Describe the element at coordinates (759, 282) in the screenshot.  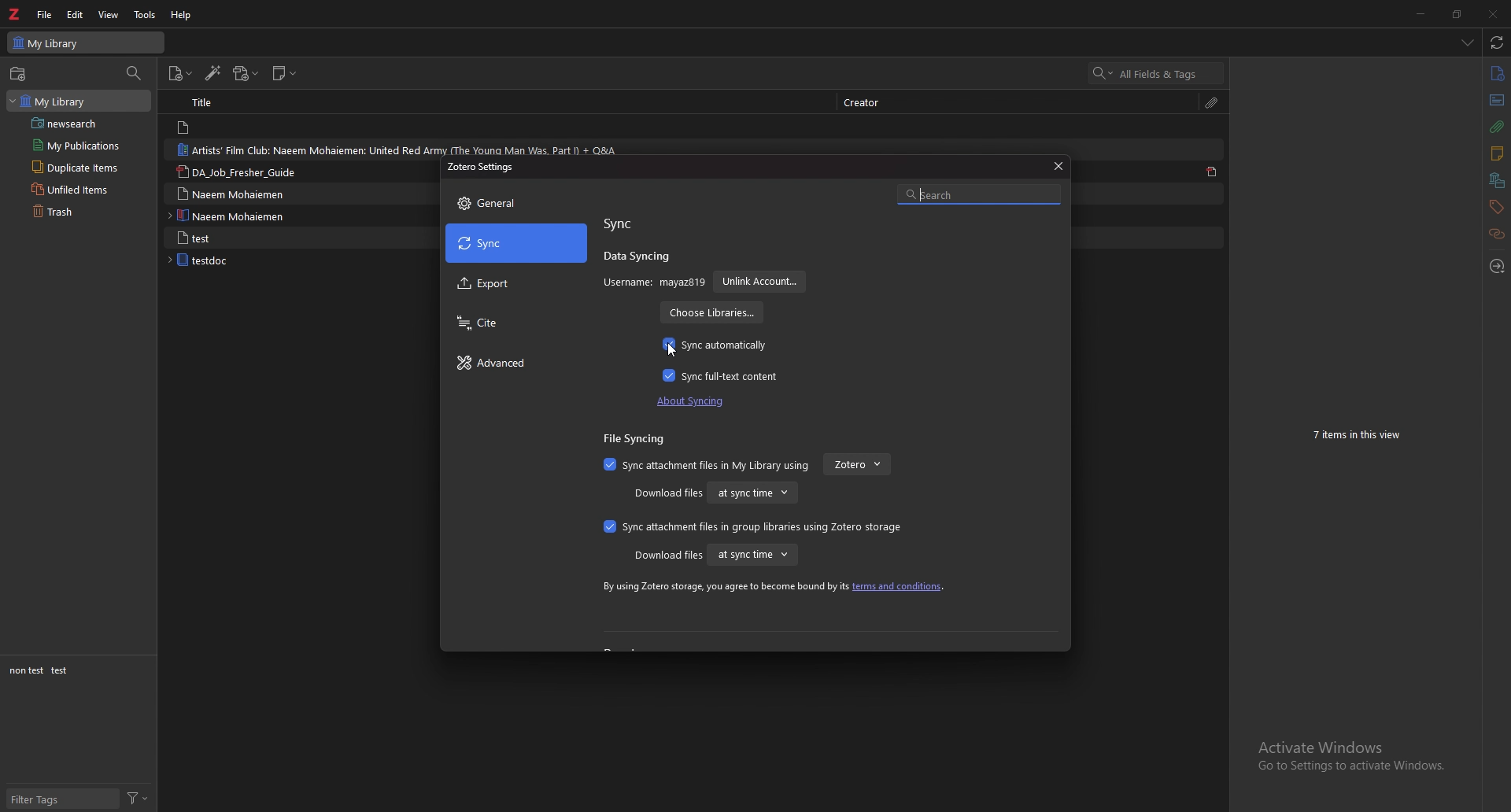
I see `unlink account...` at that location.